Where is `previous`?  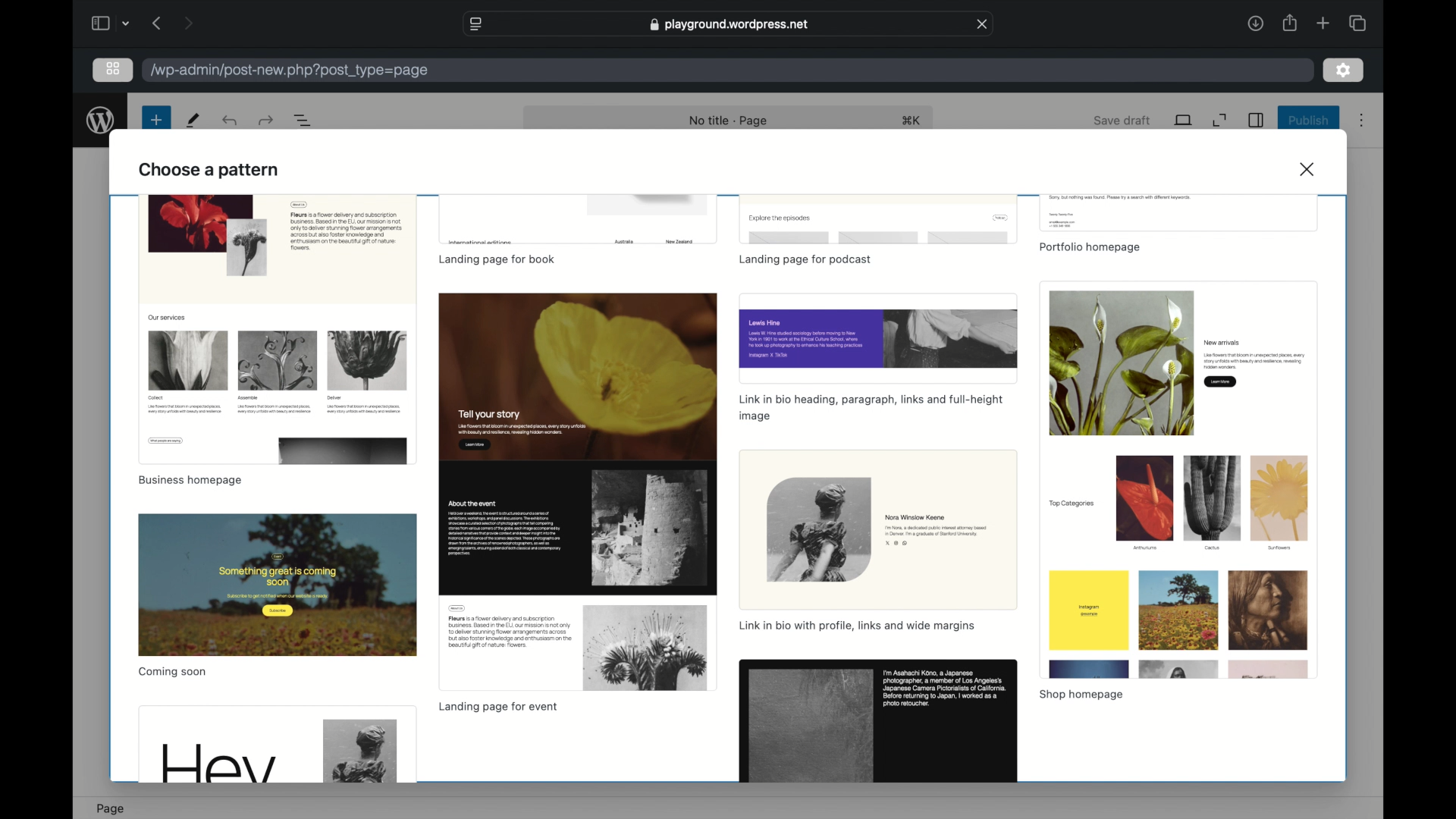 previous is located at coordinates (155, 23).